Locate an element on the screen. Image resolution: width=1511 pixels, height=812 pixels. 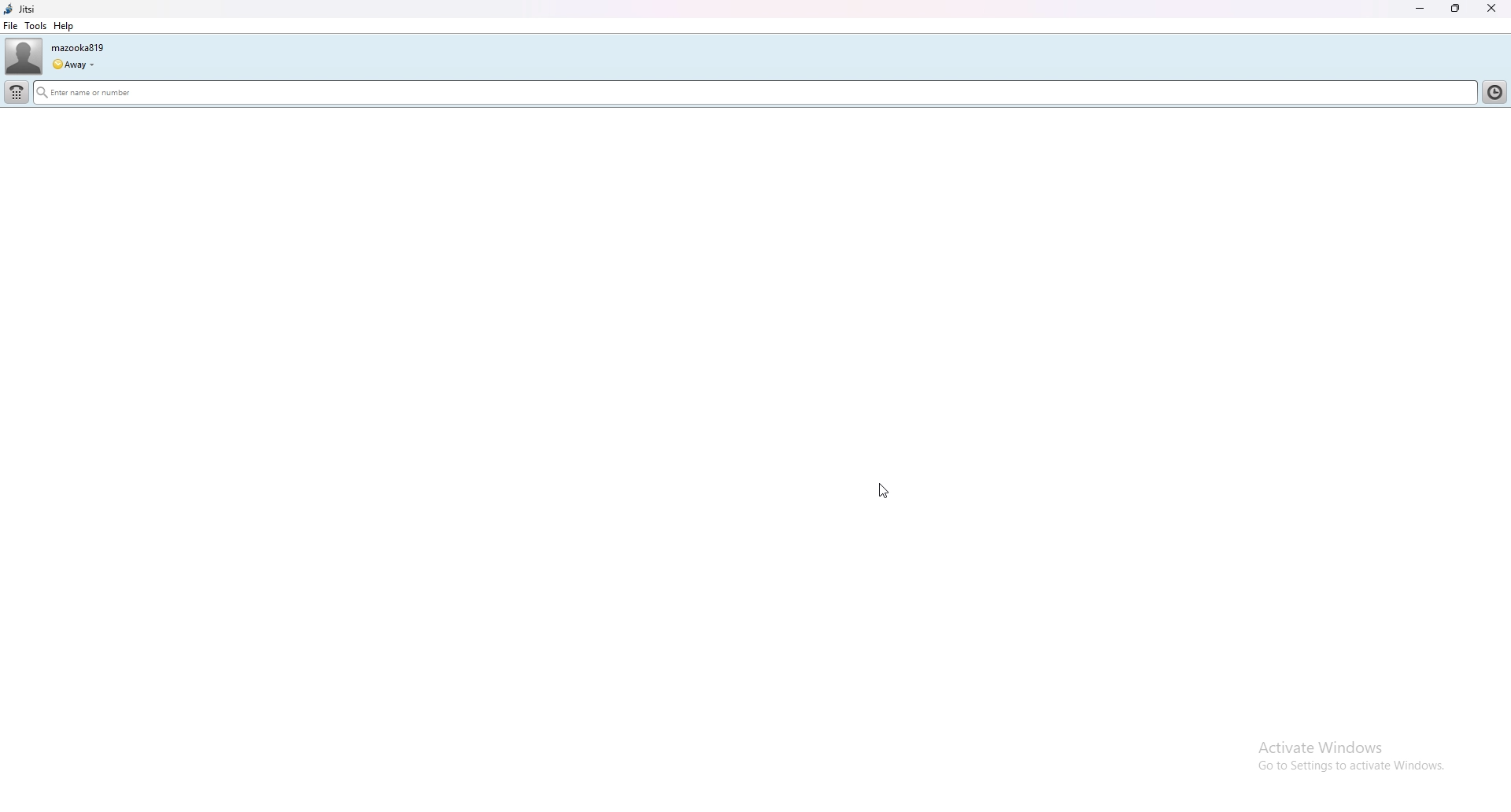
search bar is located at coordinates (626, 94).